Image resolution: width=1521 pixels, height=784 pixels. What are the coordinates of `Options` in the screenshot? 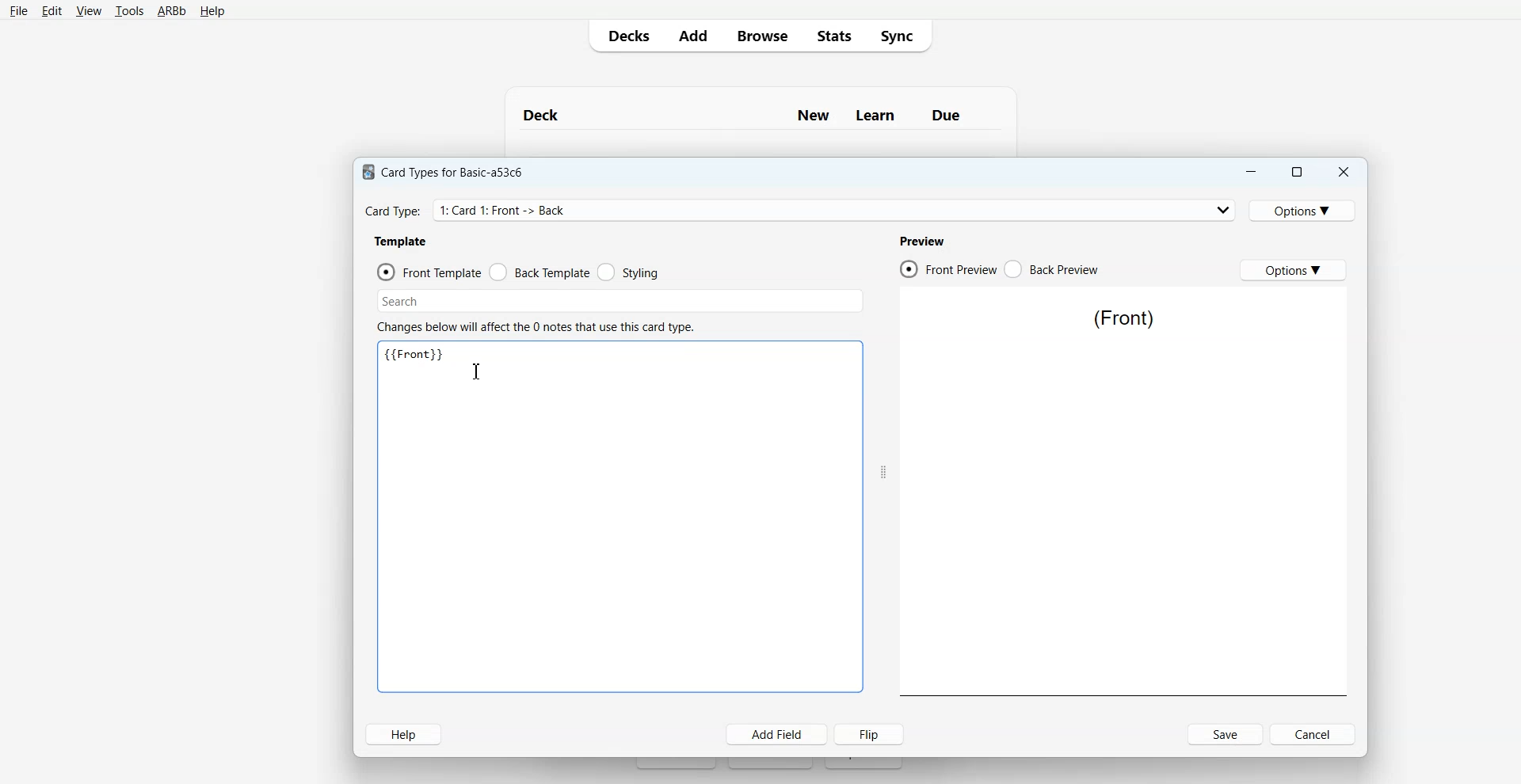 It's located at (1293, 269).